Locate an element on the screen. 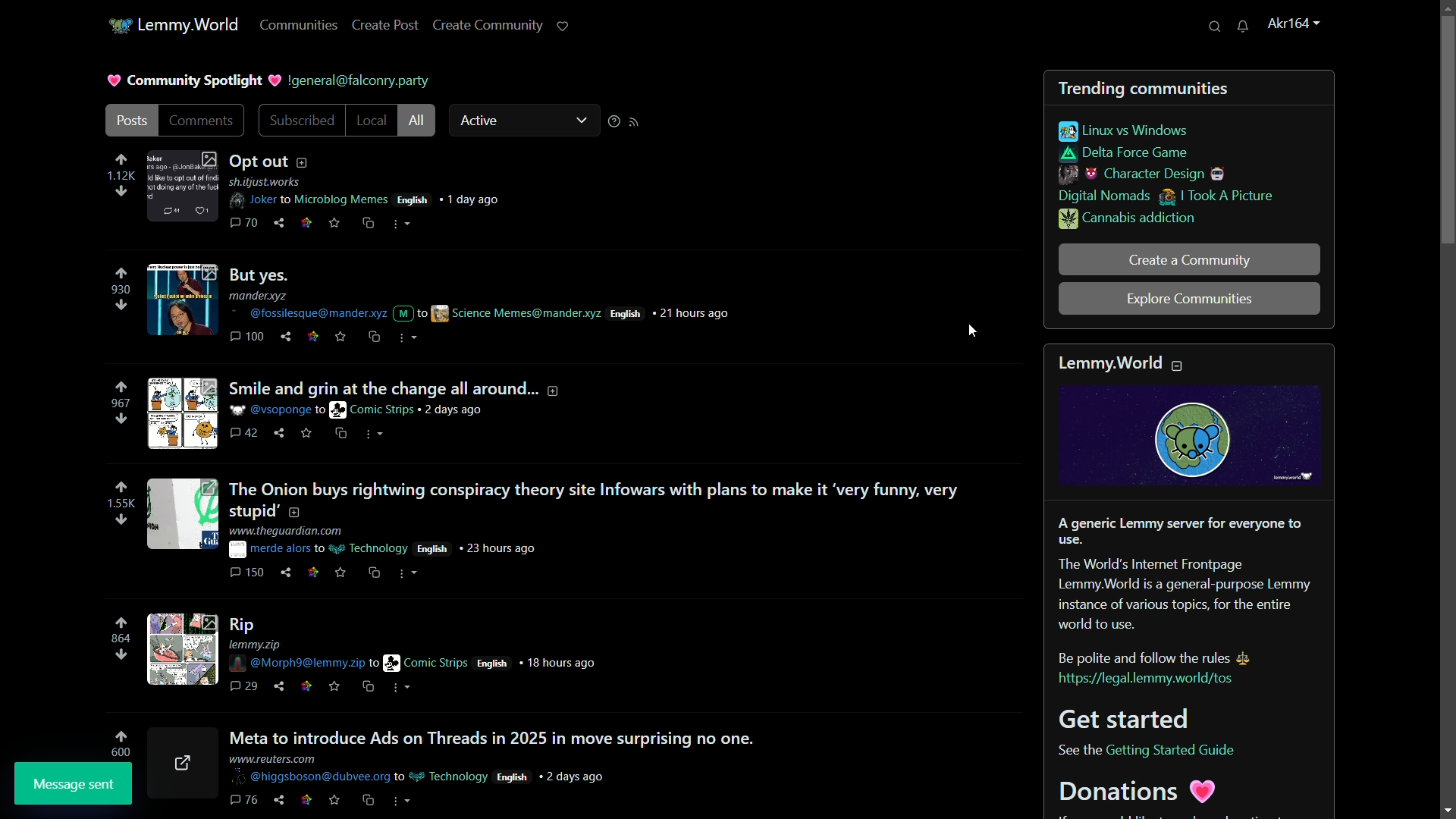 The height and width of the screenshot is (819, 1456). active is located at coordinates (482, 121).